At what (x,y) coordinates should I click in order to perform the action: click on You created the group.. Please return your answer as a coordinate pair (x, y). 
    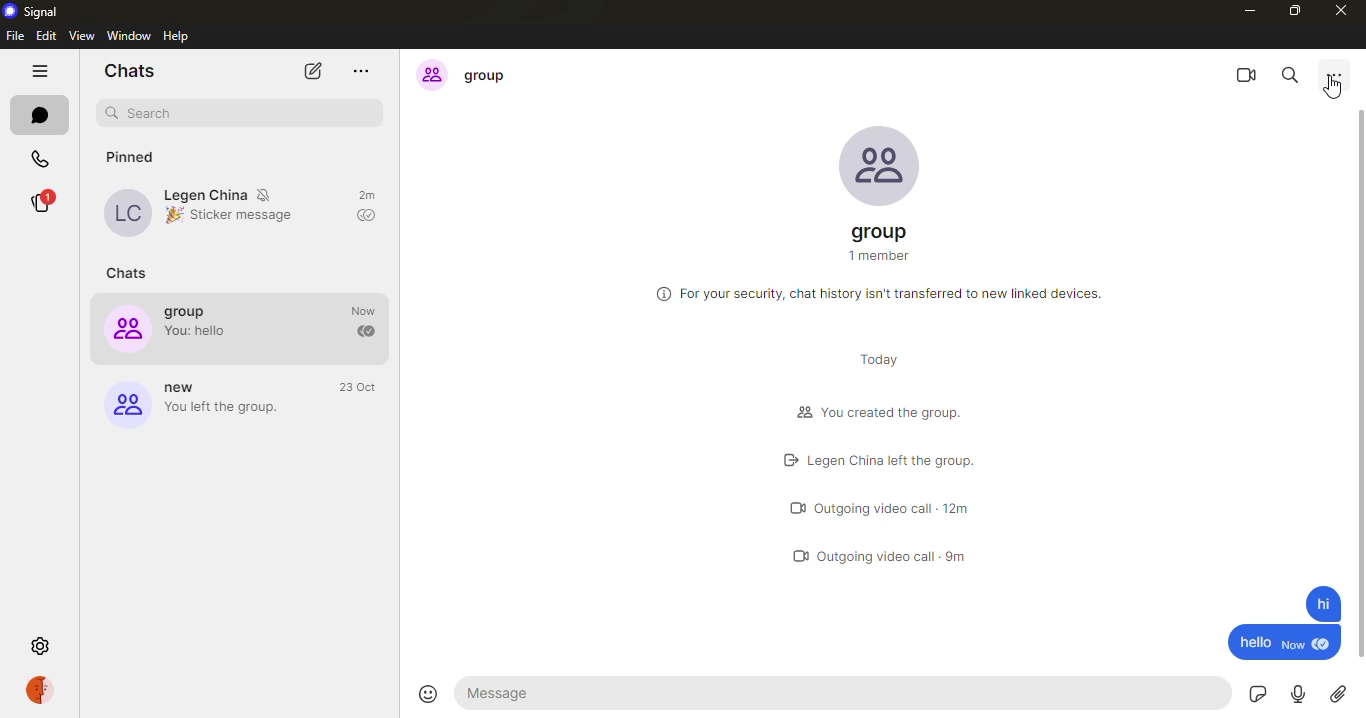
    Looking at the image, I should click on (898, 413).